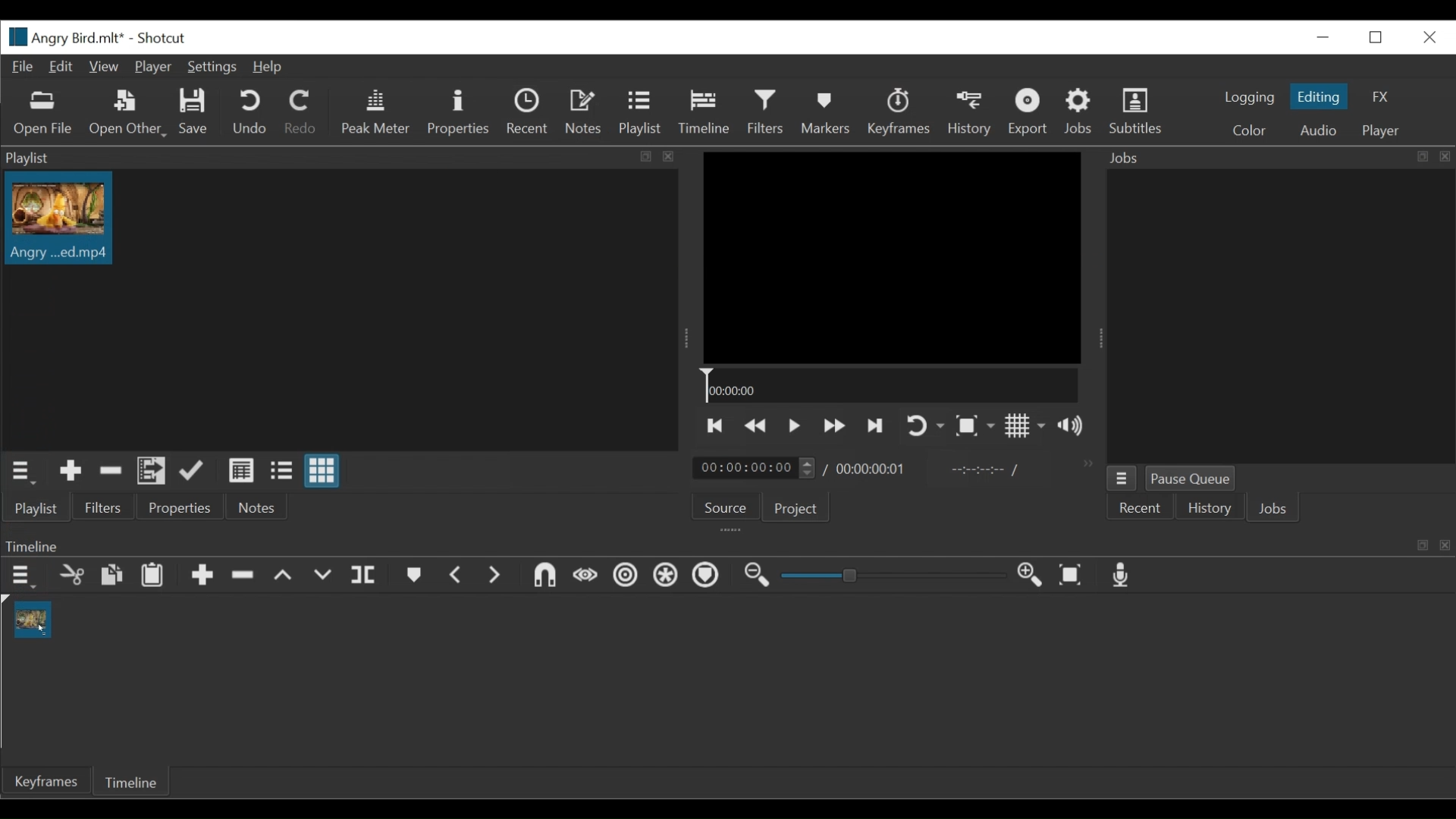  What do you see at coordinates (272, 67) in the screenshot?
I see `Help` at bounding box center [272, 67].